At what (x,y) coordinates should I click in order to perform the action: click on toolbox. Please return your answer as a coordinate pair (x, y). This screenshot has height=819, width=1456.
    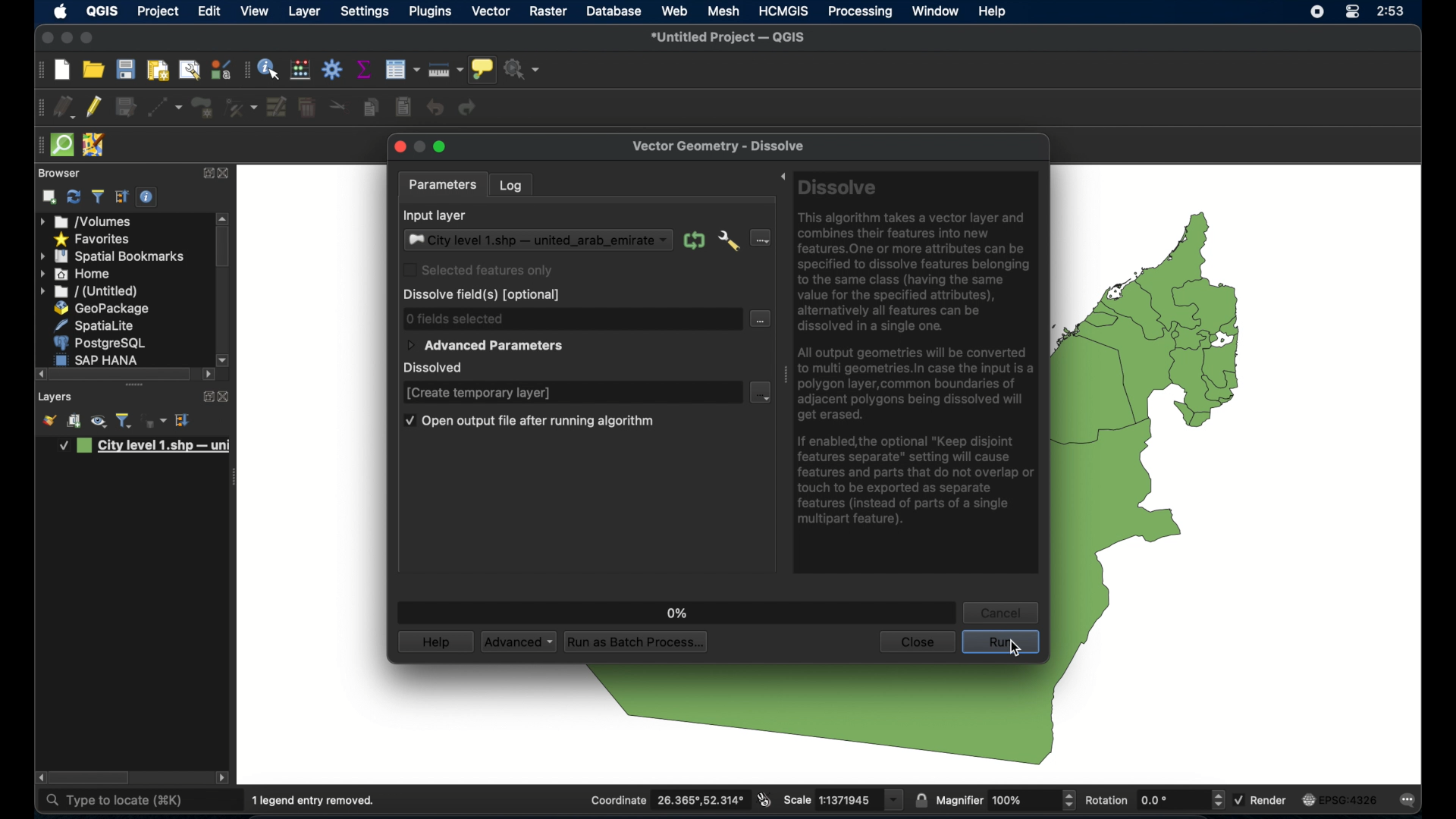
    Looking at the image, I should click on (333, 69).